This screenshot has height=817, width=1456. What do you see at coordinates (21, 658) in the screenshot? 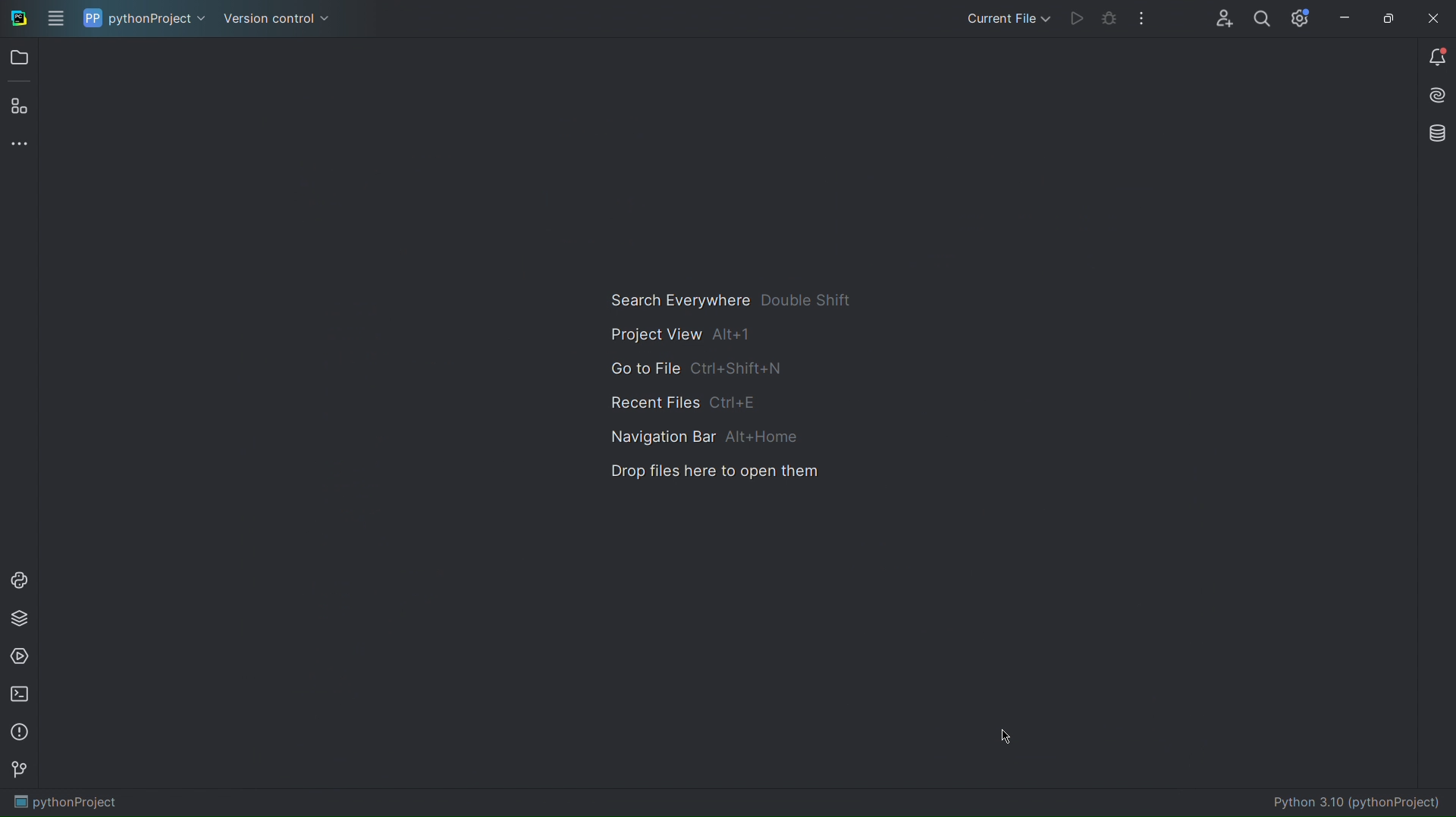
I see `Services` at bounding box center [21, 658].